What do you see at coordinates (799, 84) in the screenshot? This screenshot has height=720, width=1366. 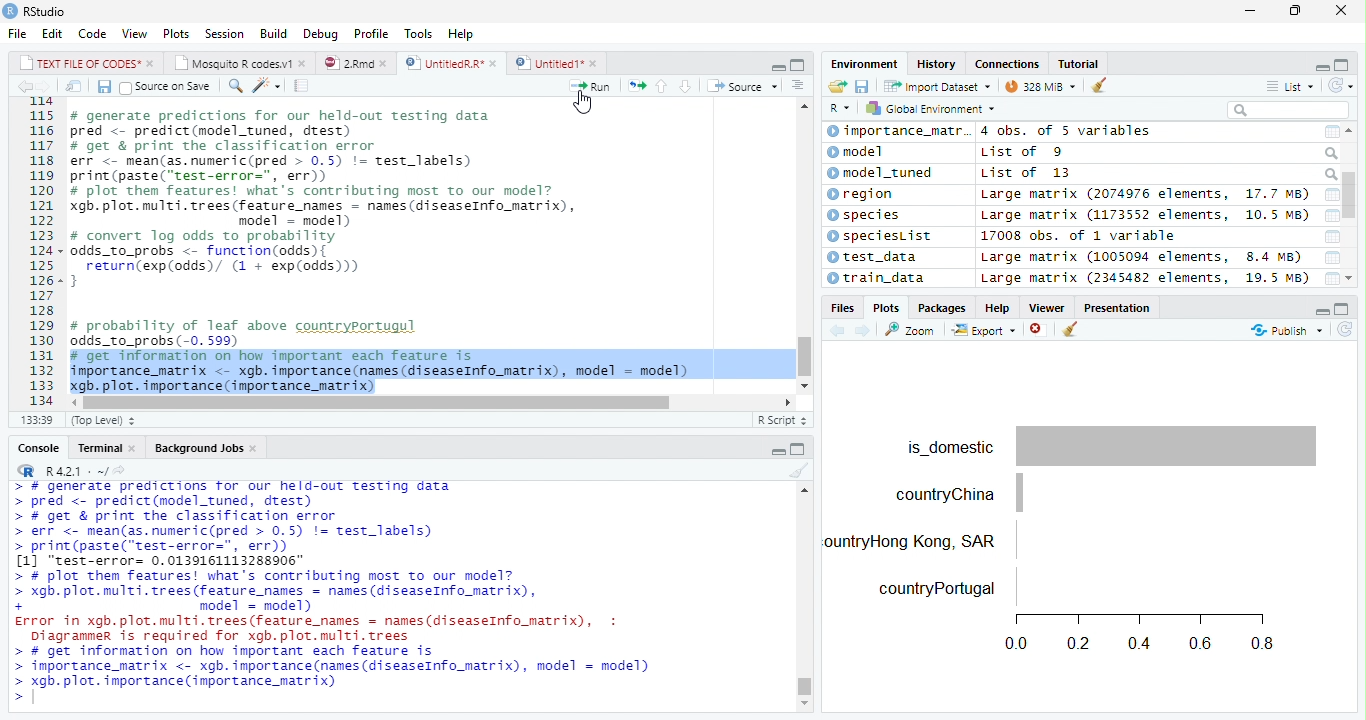 I see `Show Document Outline` at bounding box center [799, 84].